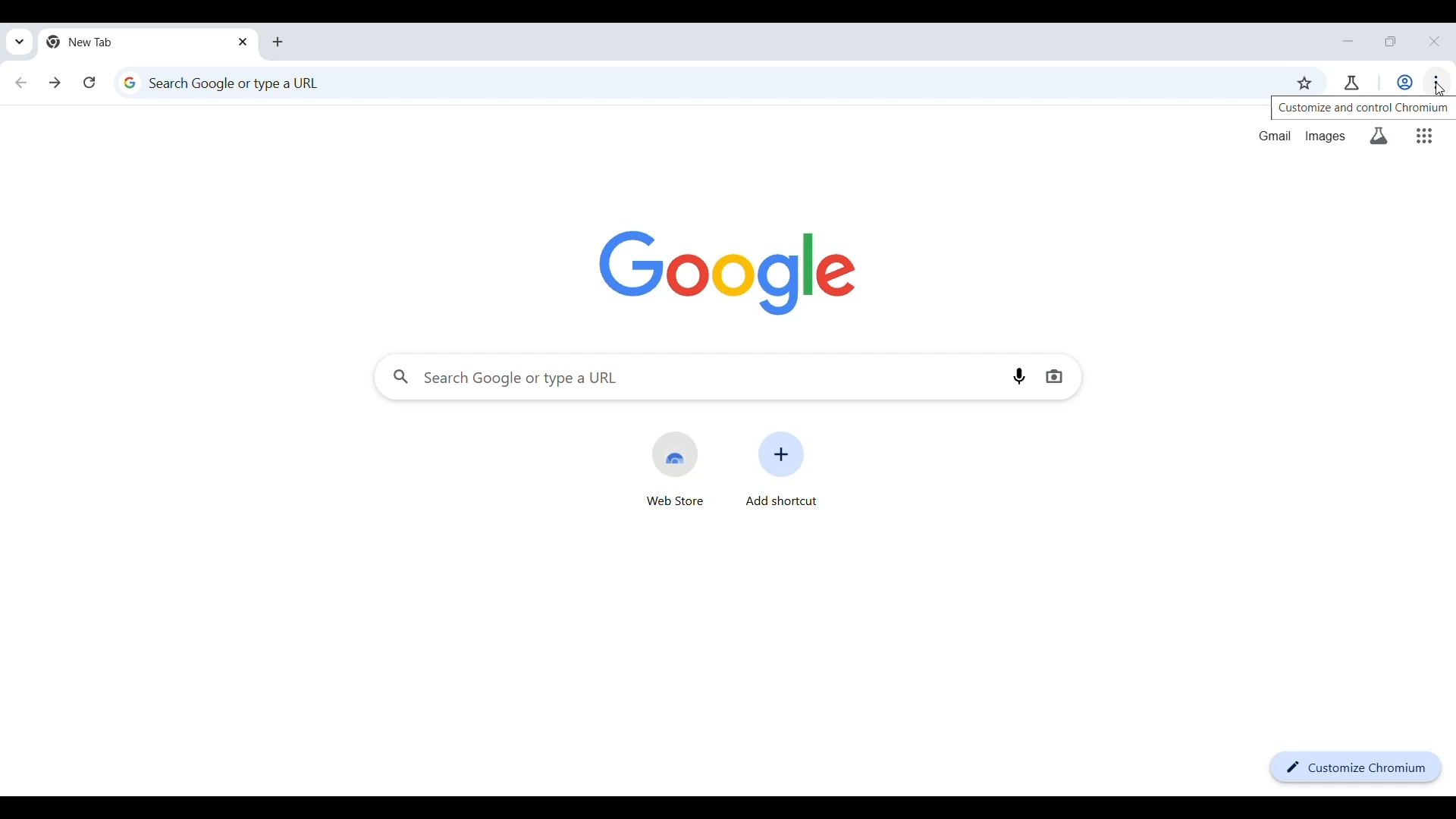 This screenshot has width=1456, height=819. Describe the element at coordinates (137, 42) in the screenshot. I see `Current open tab` at that location.